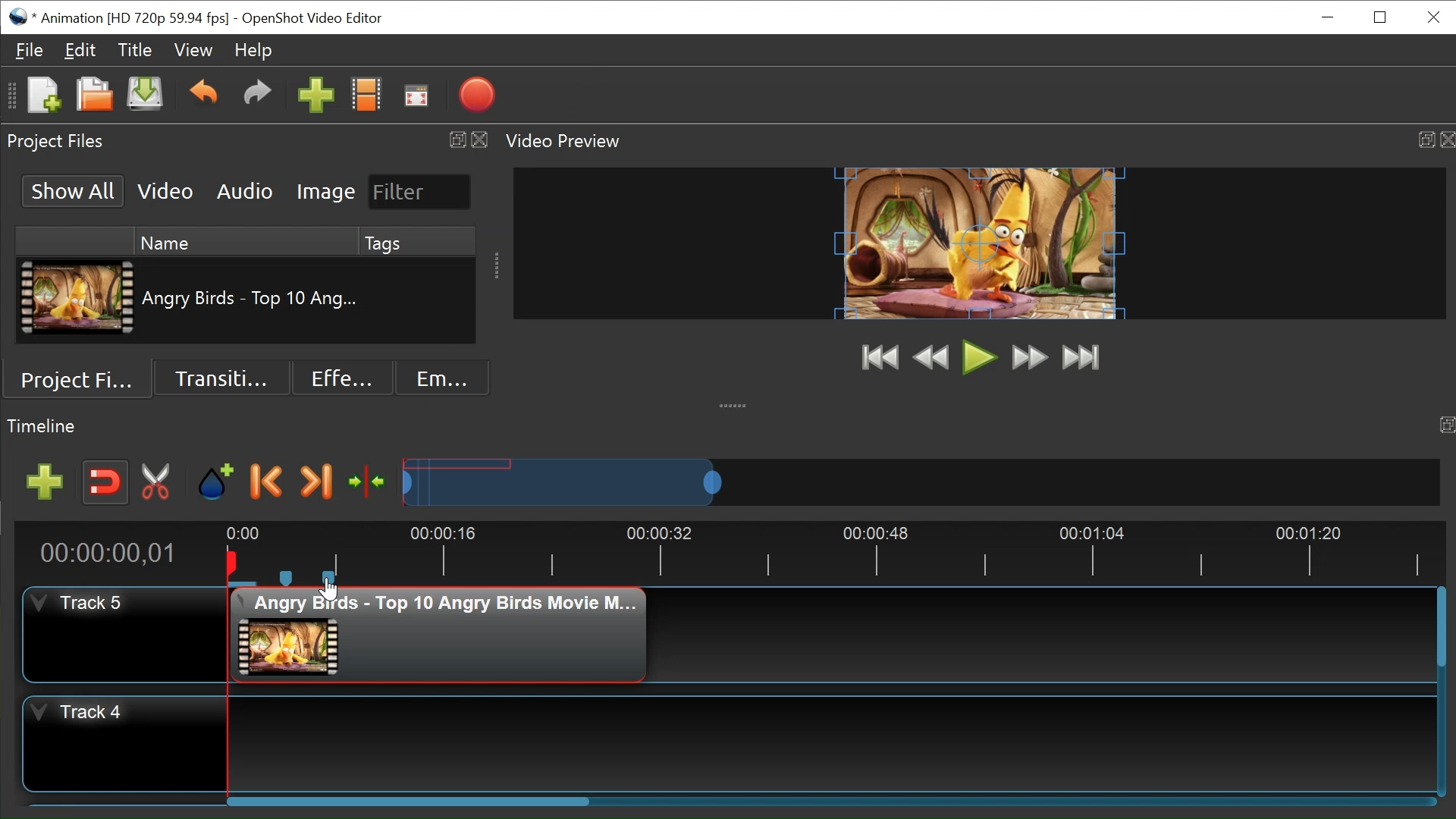 The height and width of the screenshot is (819, 1456). I want to click on Show All, so click(71, 191).